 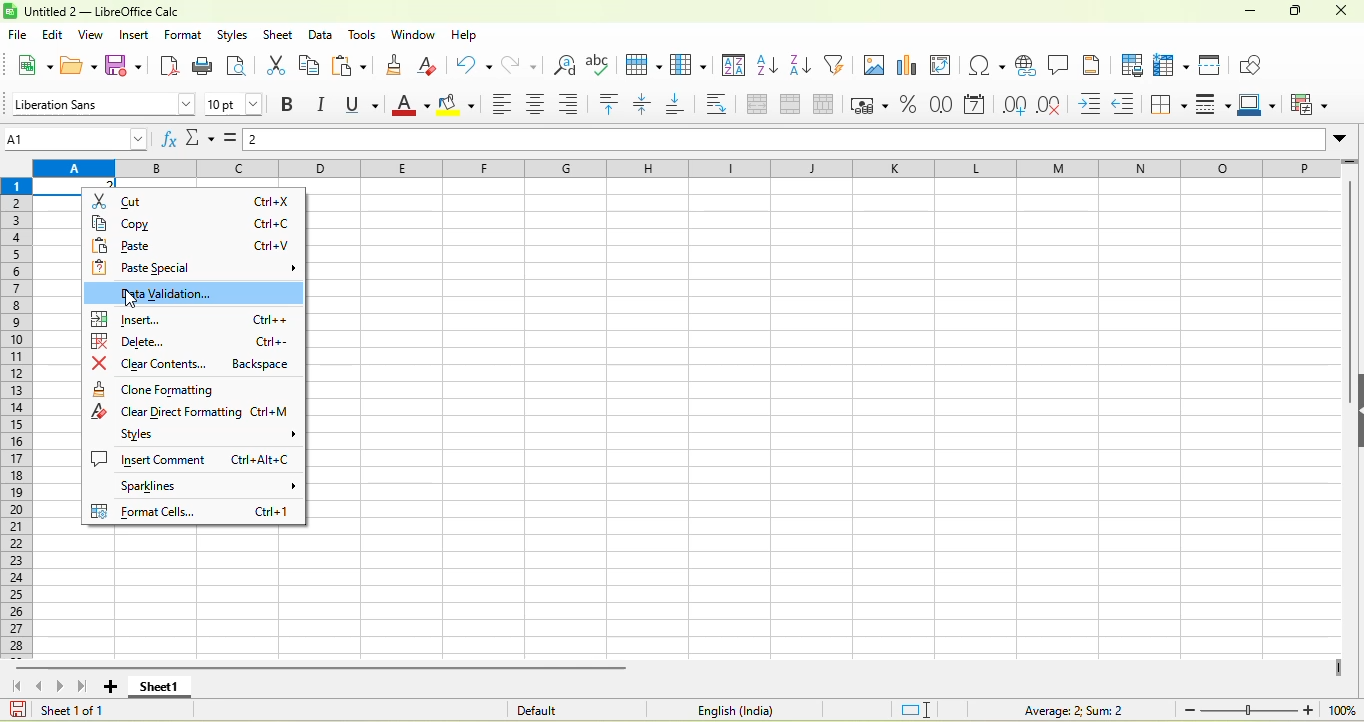 I want to click on clone formatting, so click(x=193, y=390).